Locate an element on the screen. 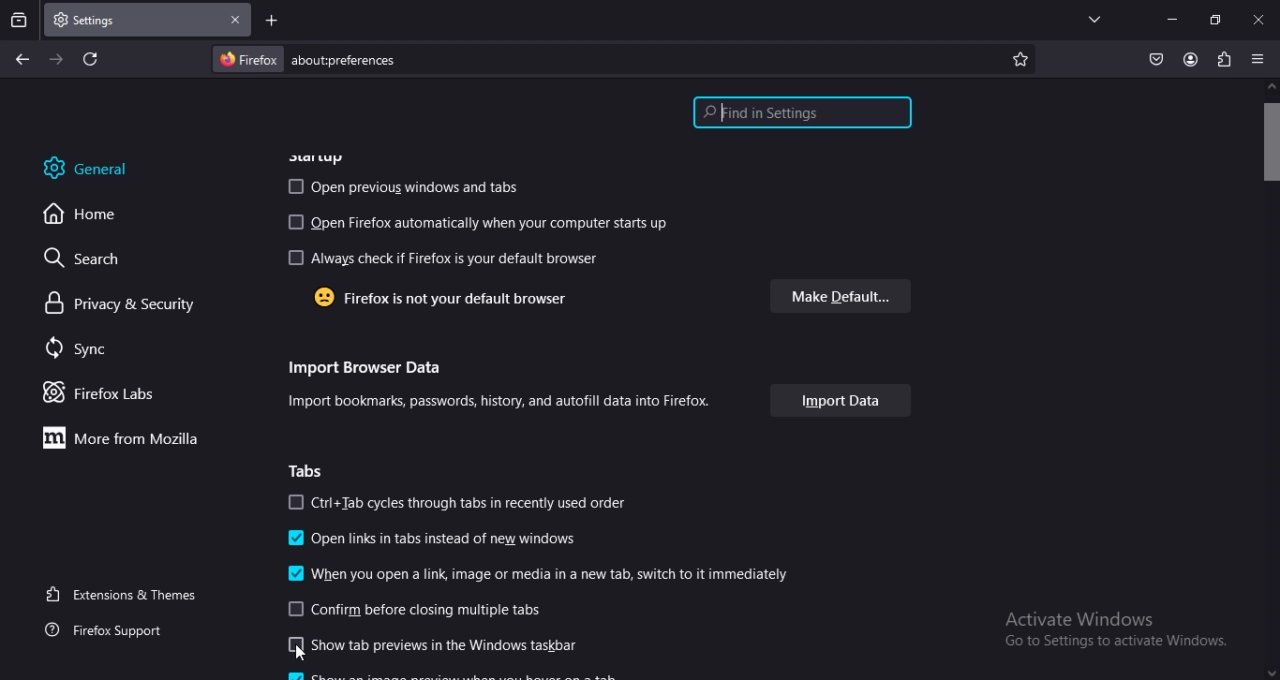 The image size is (1280, 680). list all tabs is located at coordinates (1091, 19).